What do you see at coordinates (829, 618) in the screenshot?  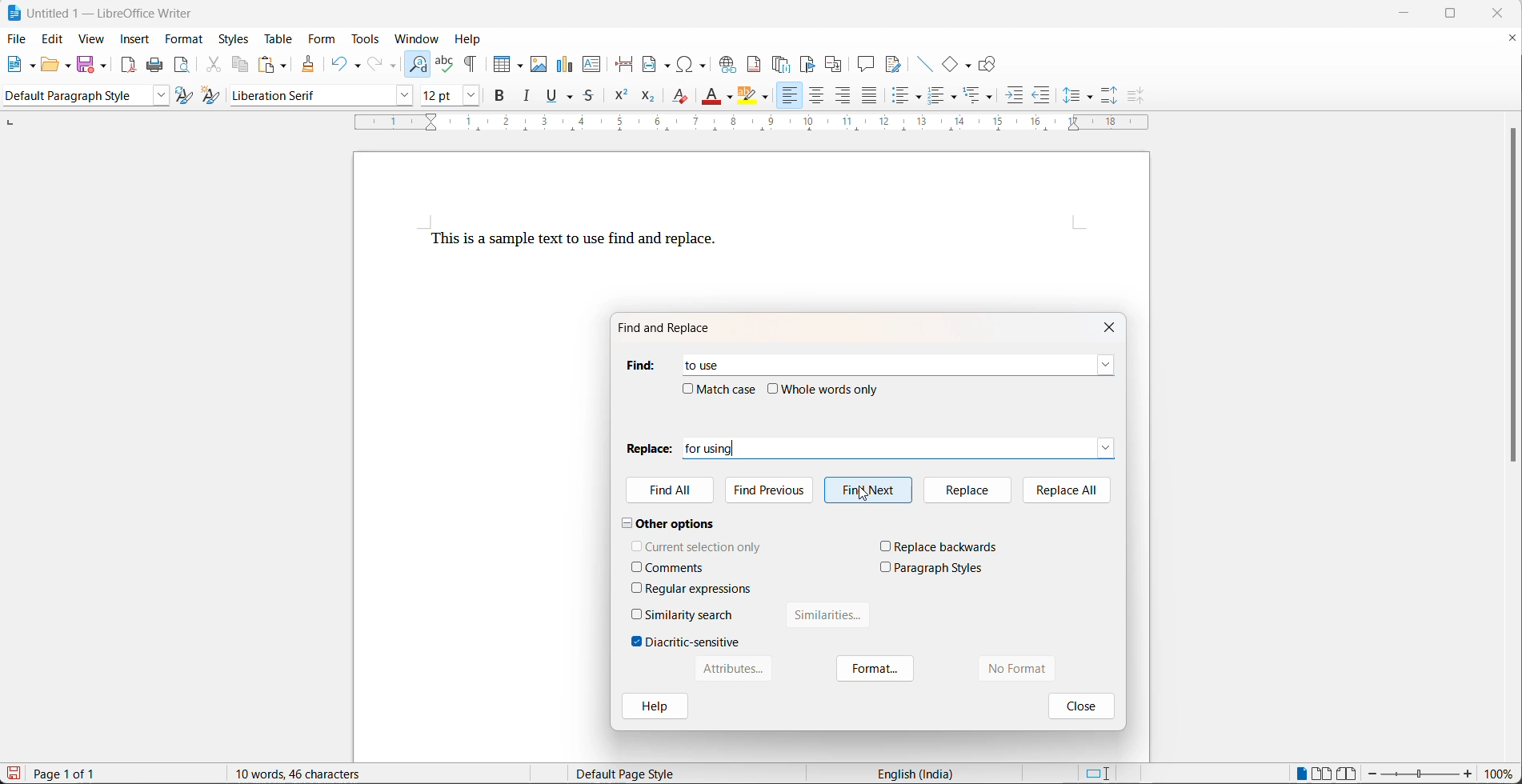 I see `similarities button` at bounding box center [829, 618].